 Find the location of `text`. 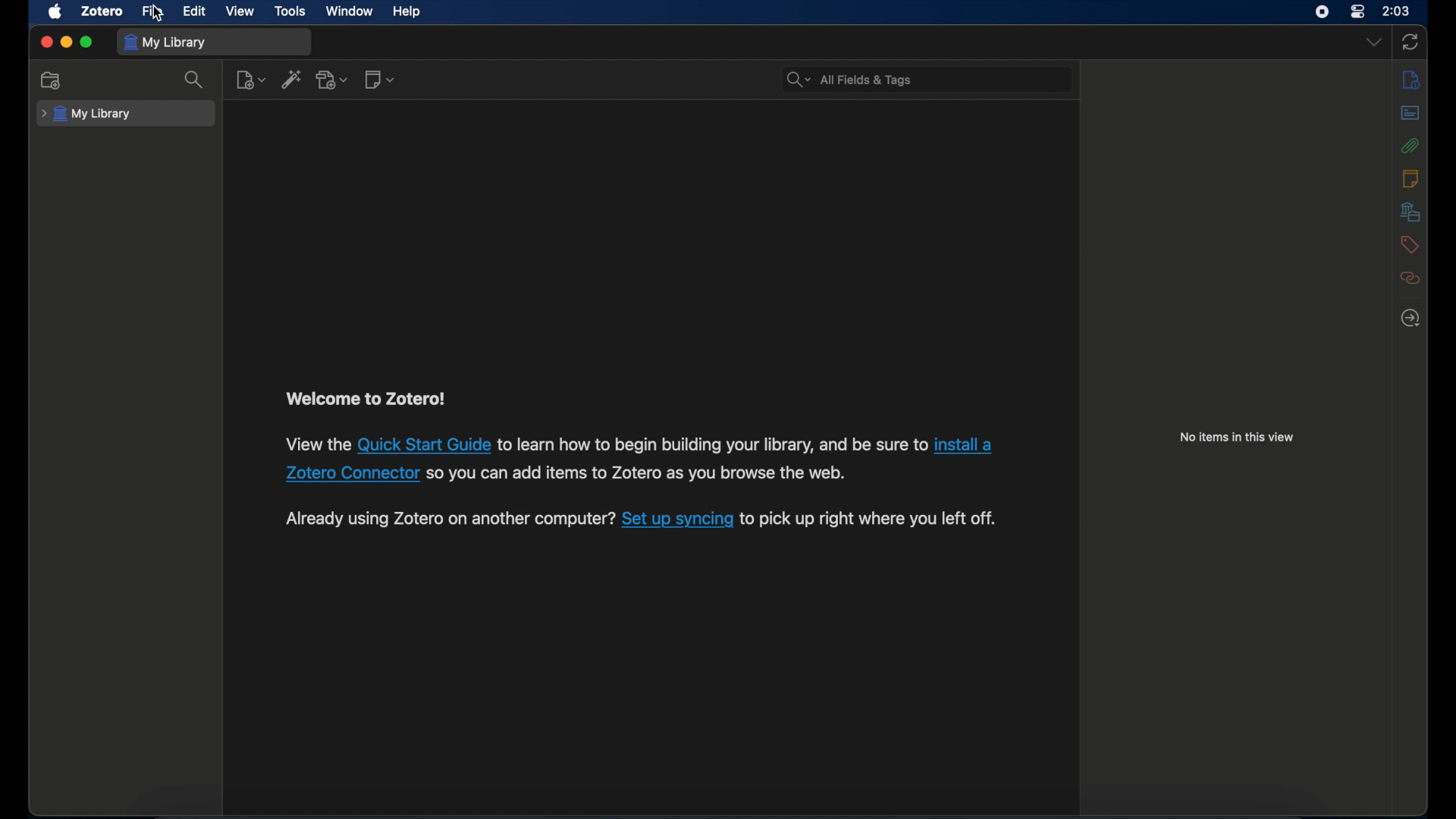

text is located at coordinates (317, 444).